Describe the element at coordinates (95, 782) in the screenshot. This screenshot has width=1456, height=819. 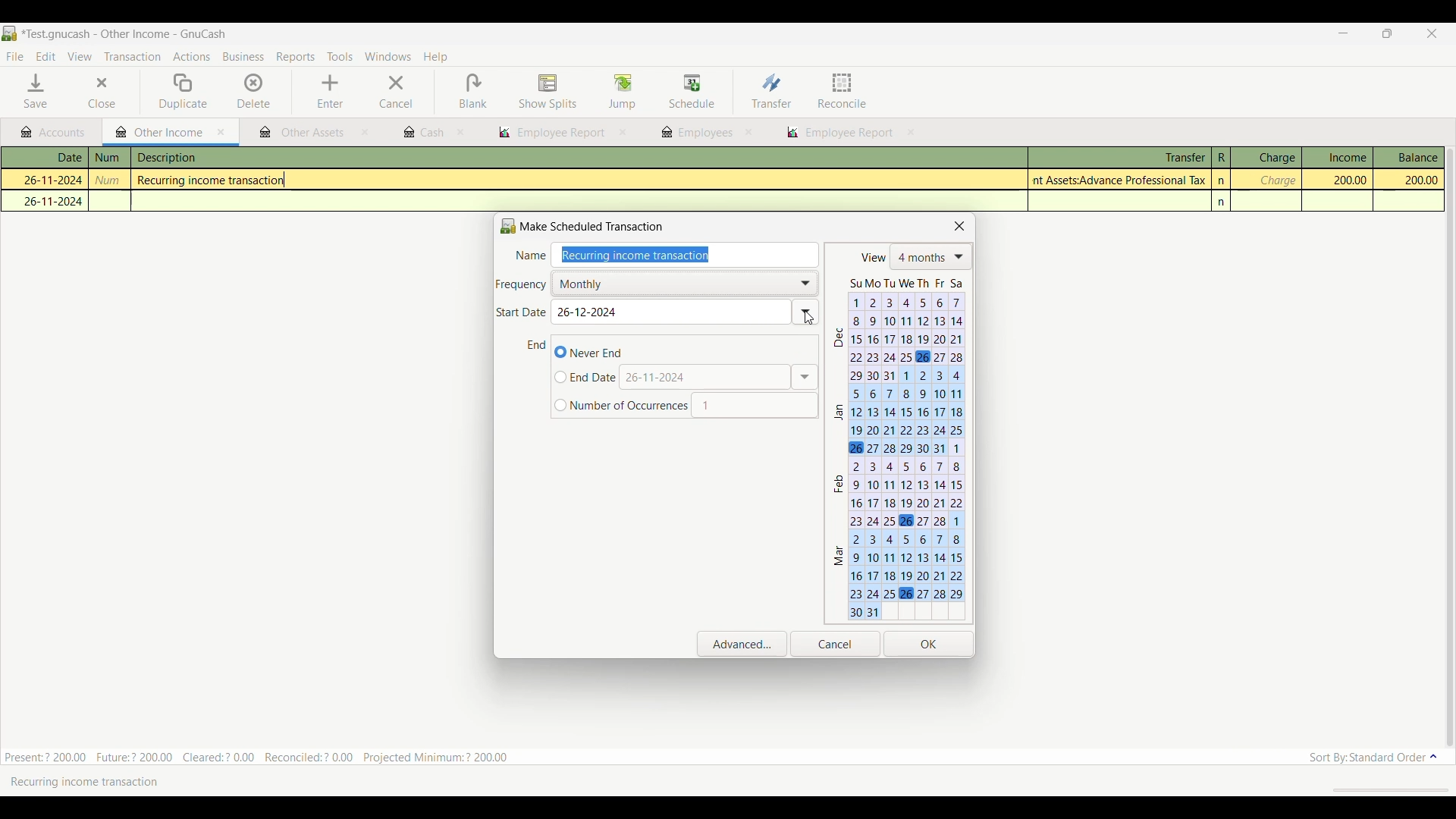
I see `Recurring income transaction` at that location.